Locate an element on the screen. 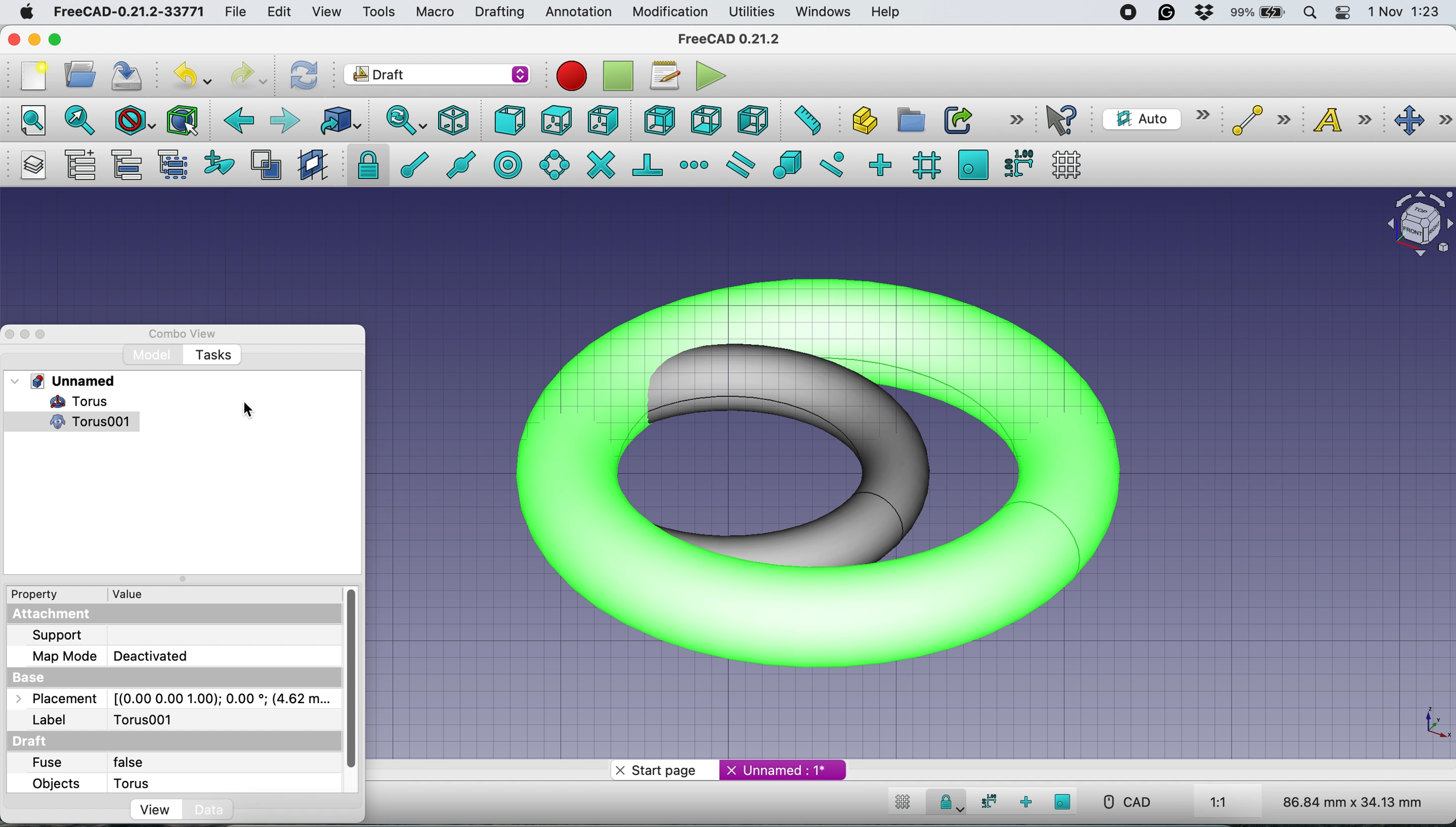 This screenshot has height=827, width=1456. utilities is located at coordinates (753, 12).